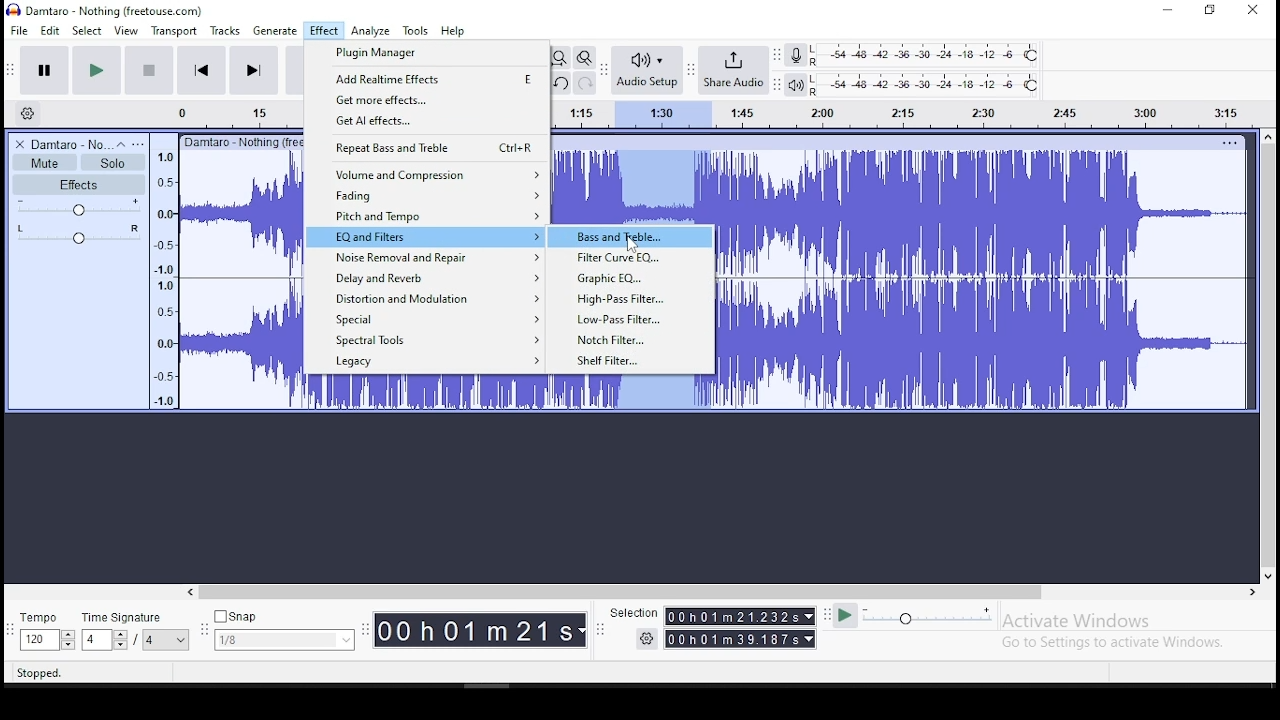  I want to click on , so click(776, 83).